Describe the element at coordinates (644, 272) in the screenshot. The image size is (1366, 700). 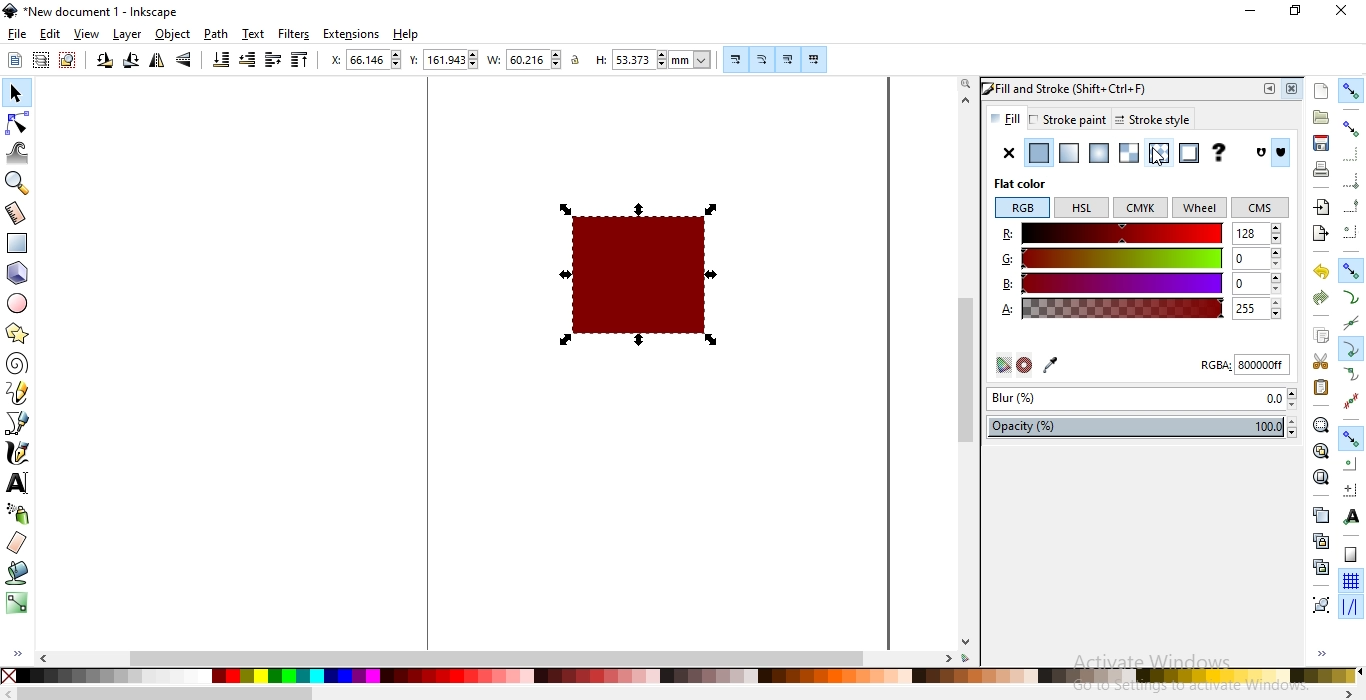
I see `image` at that location.